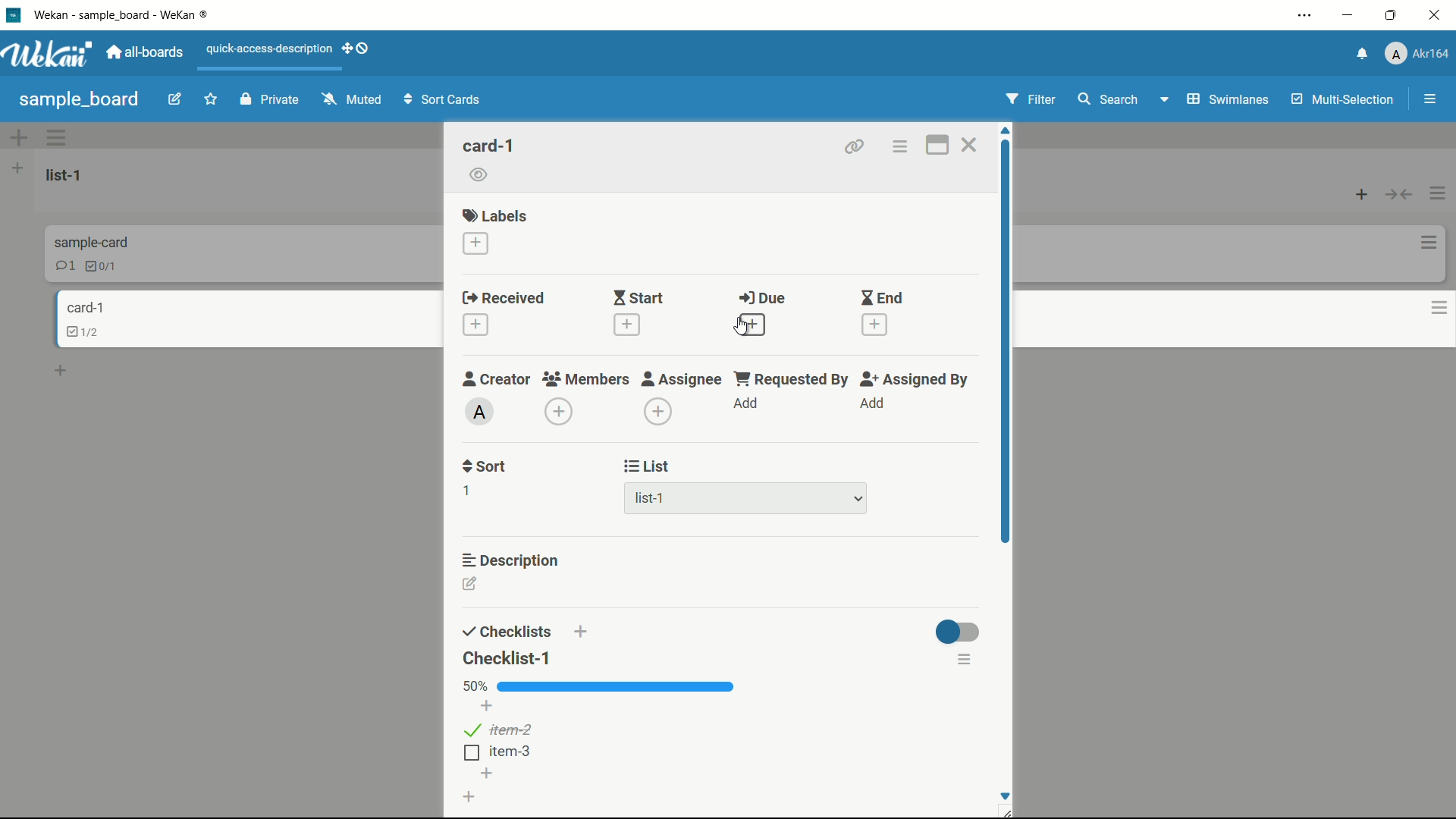 Image resolution: width=1456 pixels, height=819 pixels. What do you see at coordinates (1436, 191) in the screenshot?
I see `list actions` at bounding box center [1436, 191].